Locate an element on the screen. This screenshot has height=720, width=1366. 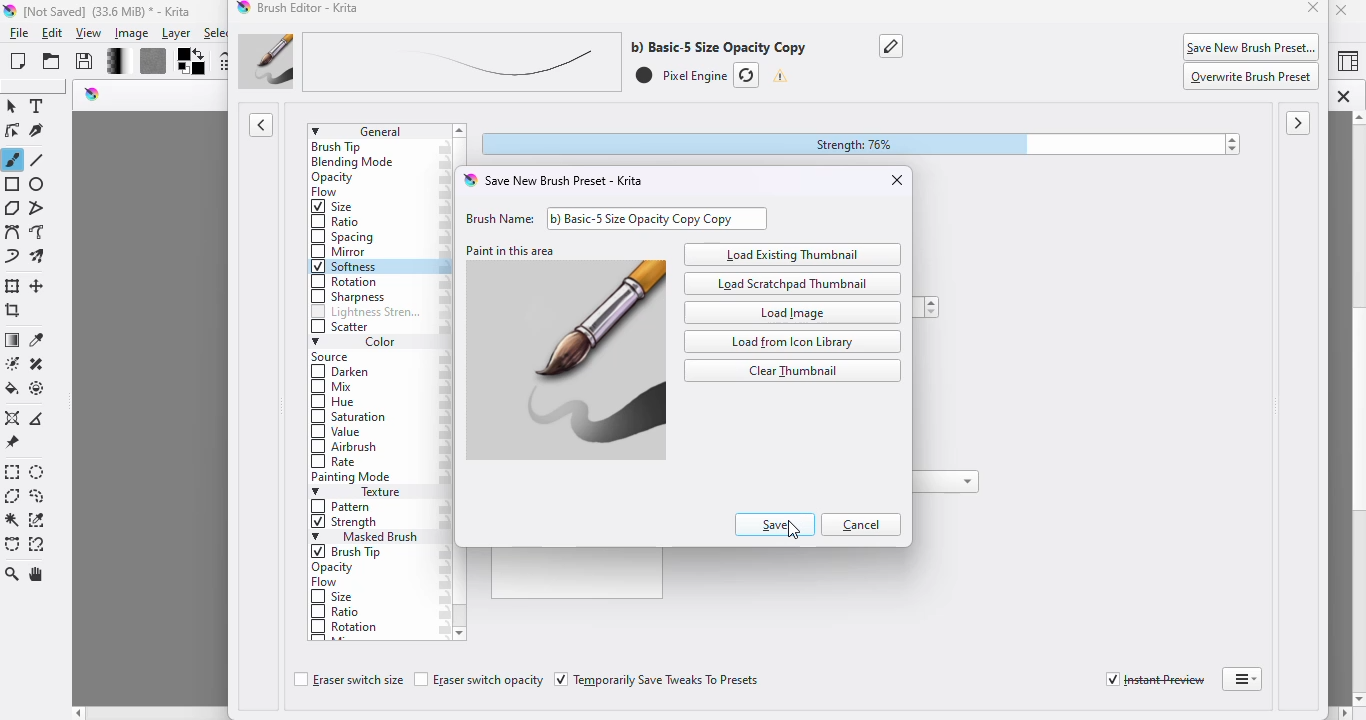
vertical scroll bar is located at coordinates (1343, 408).